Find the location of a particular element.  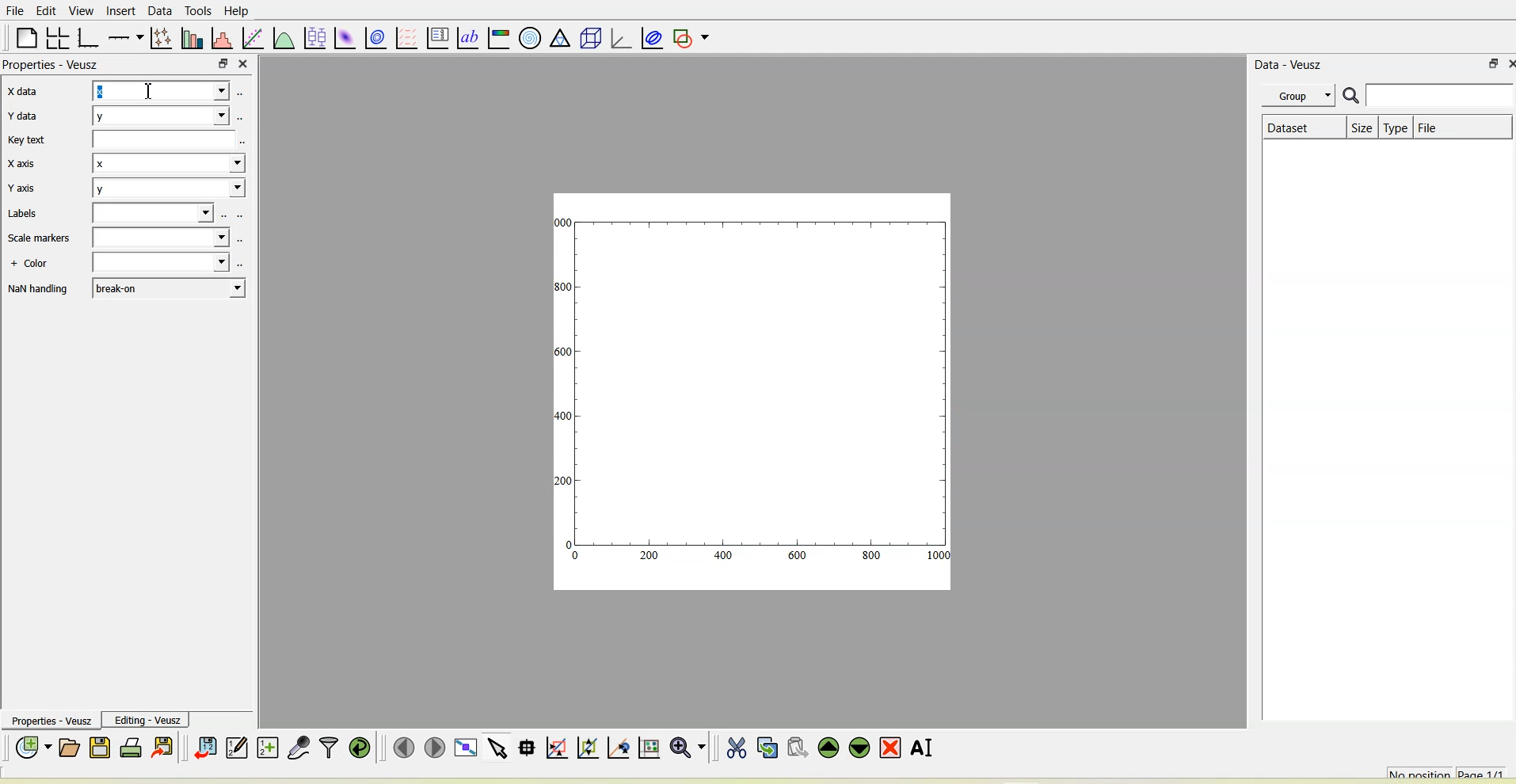

Zoom functions menu is located at coordinates (688, 748).